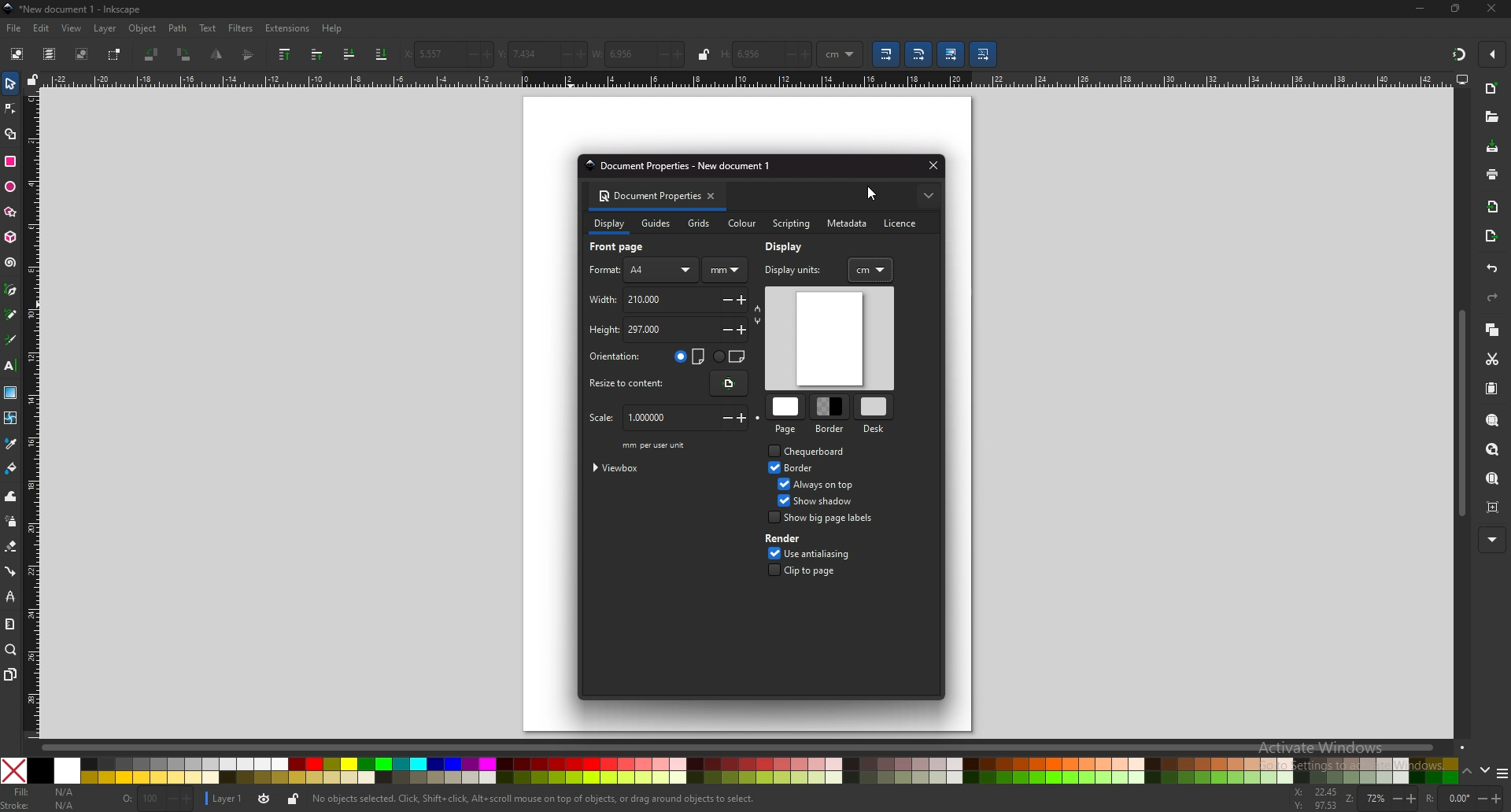 The height and width of the screenshot is (812, 1511). Describe the element at coordinates (744, 771) in the screenshot. I see `colors` at that location.